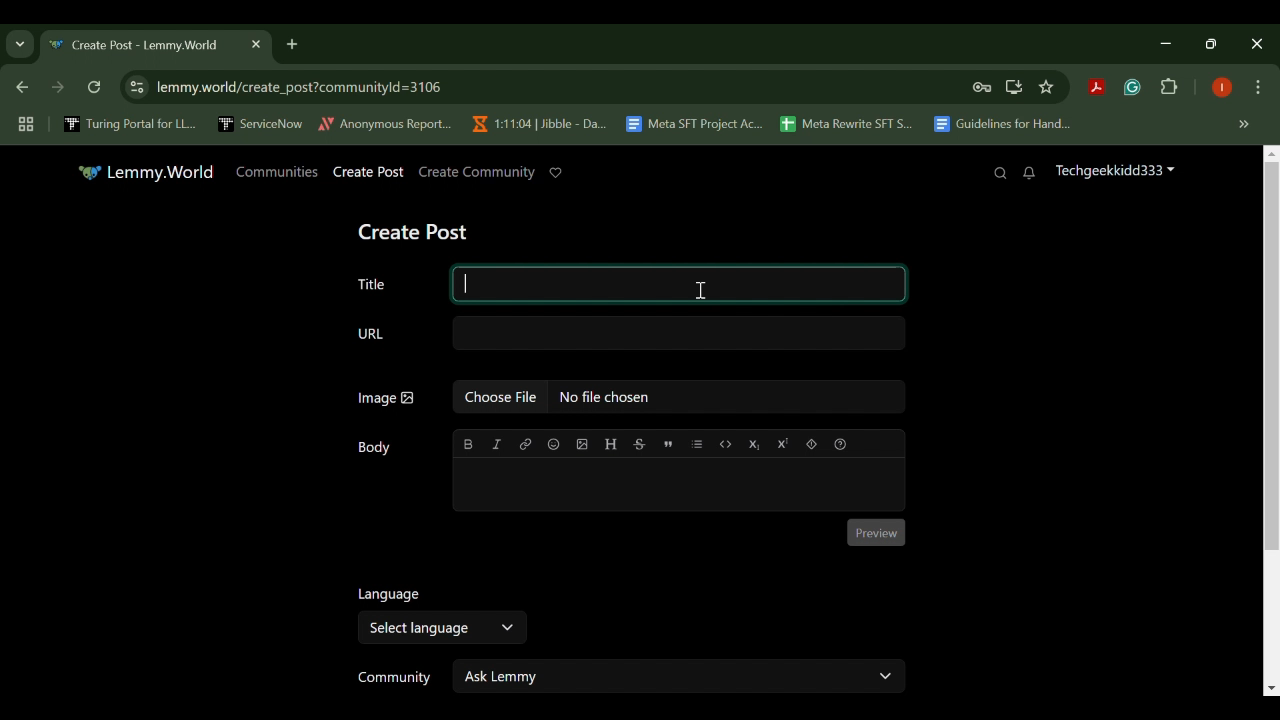 The width and height of the screenshot is (1280, 720). I want to click on Post Body Textbox, so click(676, 484).